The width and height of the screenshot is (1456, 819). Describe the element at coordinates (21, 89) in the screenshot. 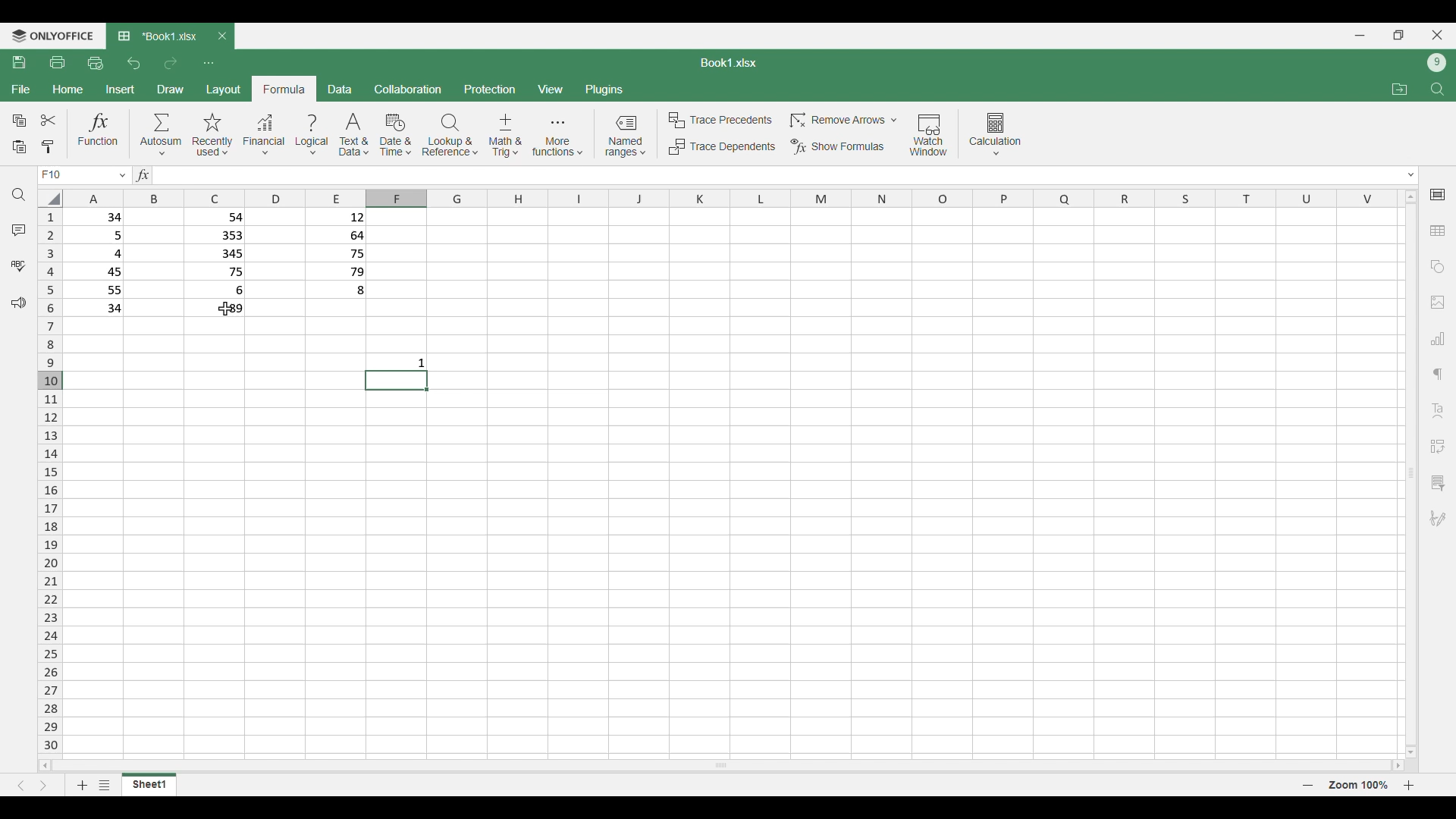

I see `File menu` at that location.